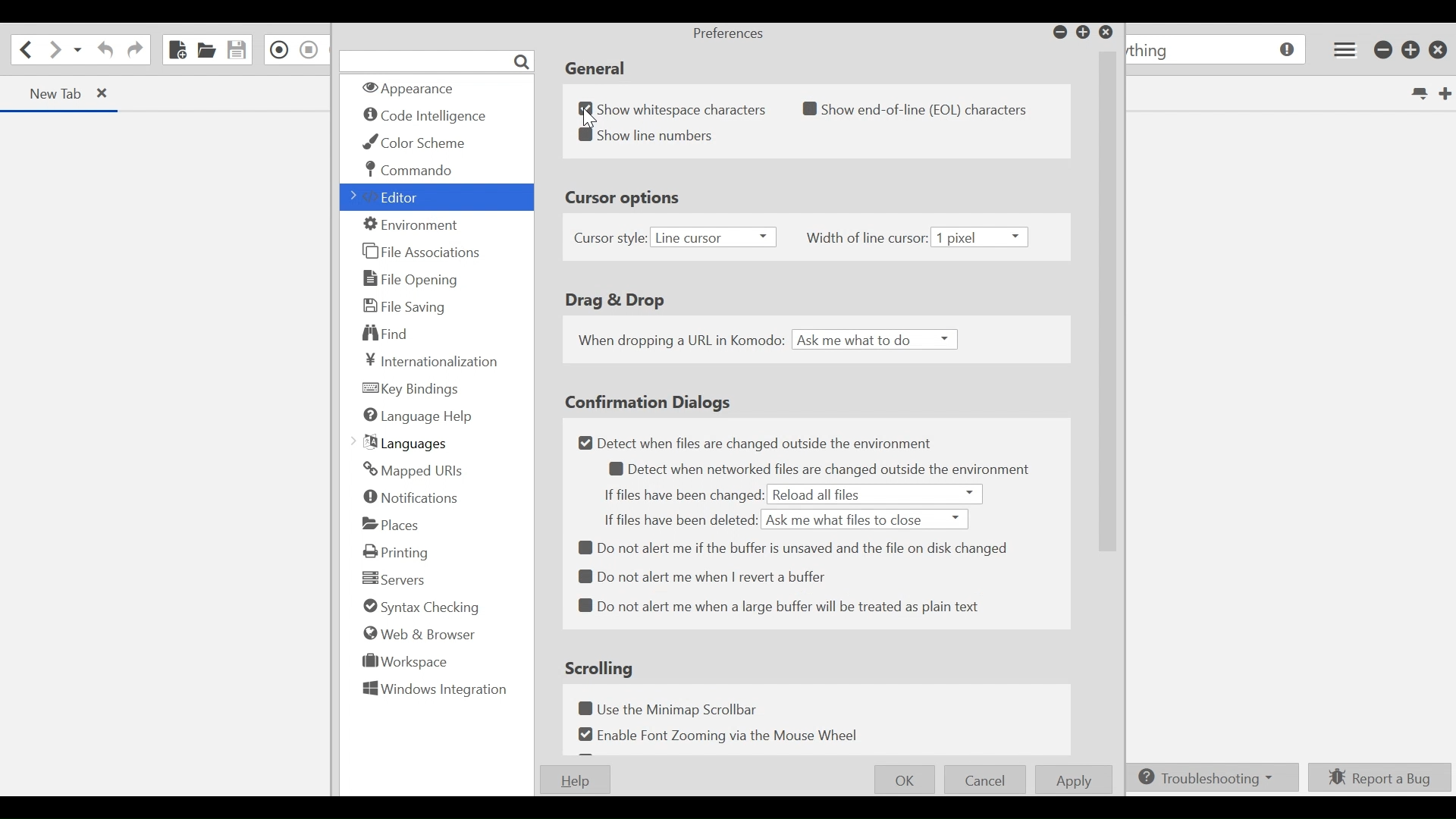 Image resolution: width=1456 pixels, height=819 pixels. What do you see at coordinates (867, 240) in the screenshot?
I see `Width of line cursor` at bounding box center [867, 240].